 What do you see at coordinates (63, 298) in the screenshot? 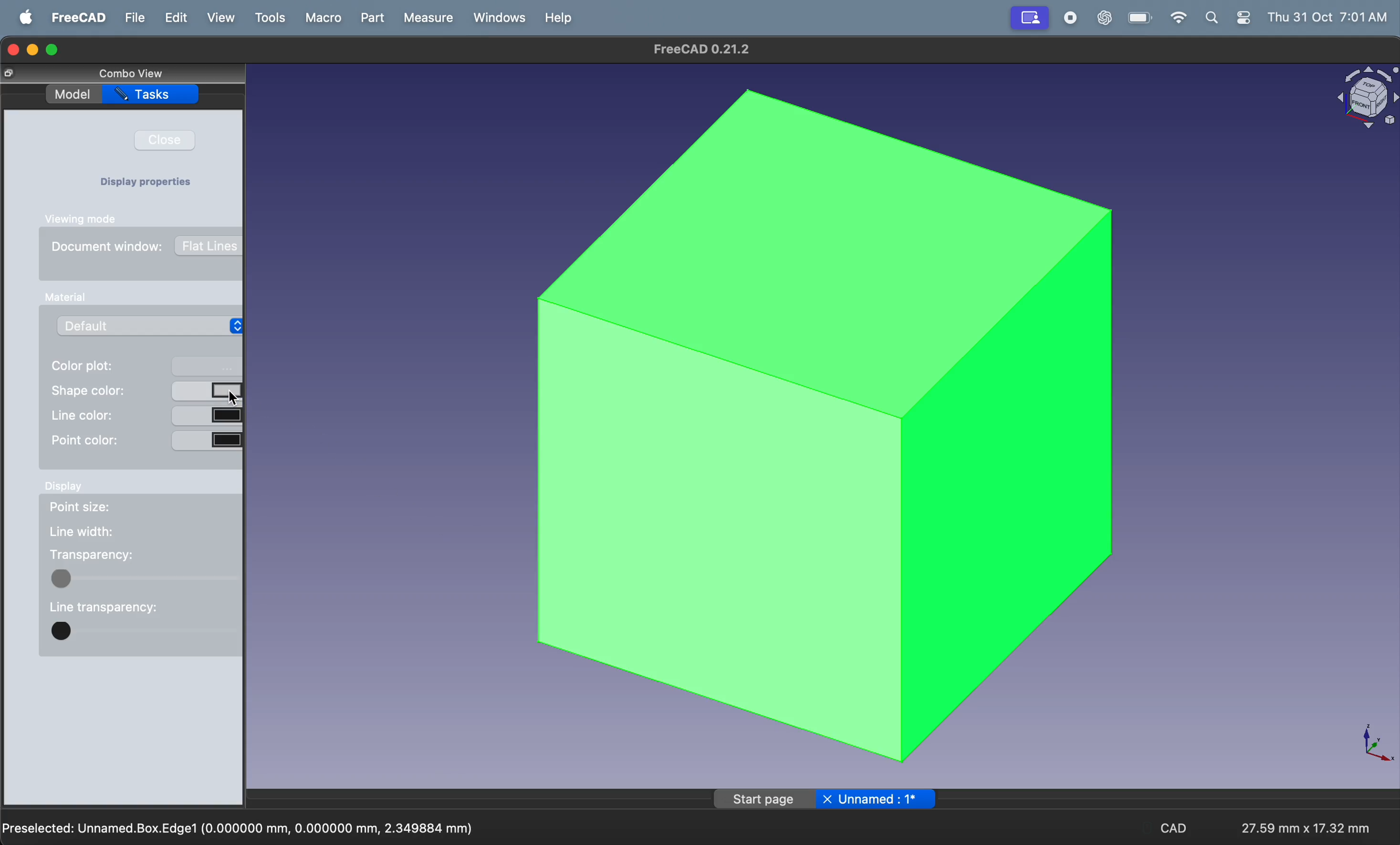
I see `` at bounding box center [63, 298].